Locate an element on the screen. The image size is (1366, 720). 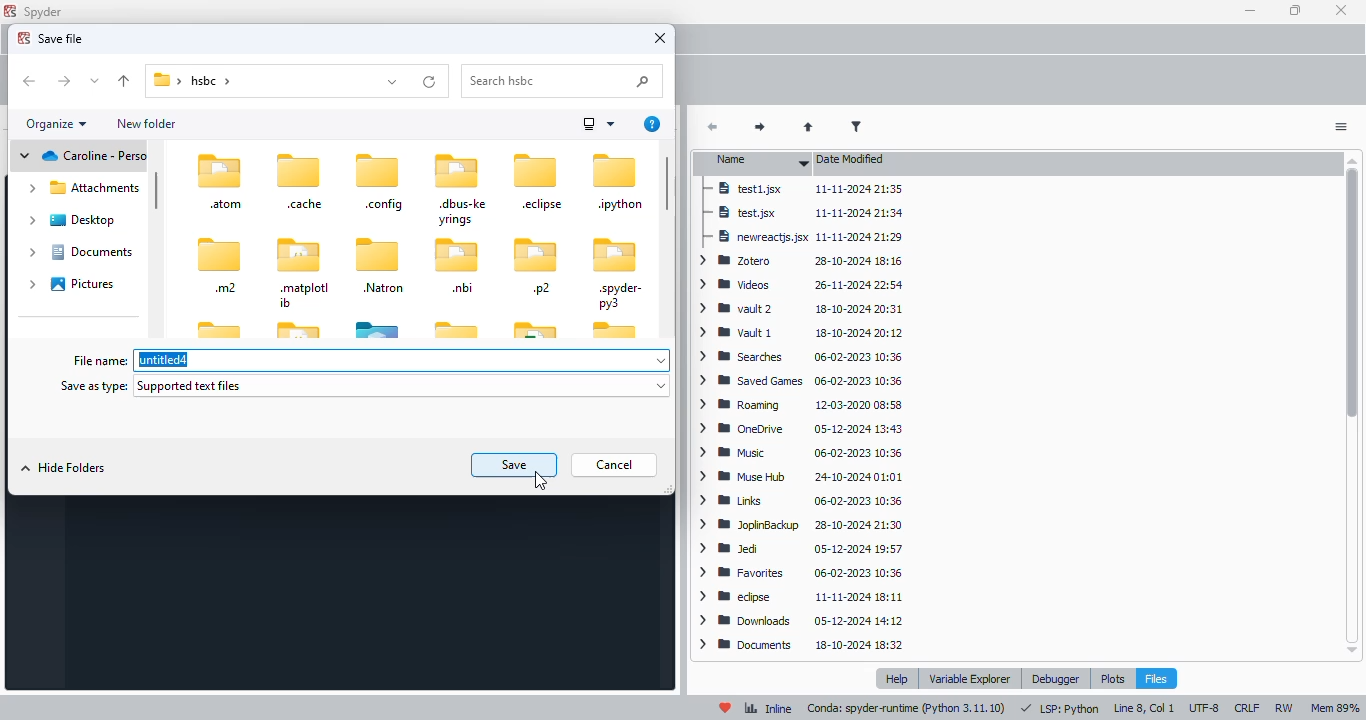
.config is located at coordinates (386, 185).